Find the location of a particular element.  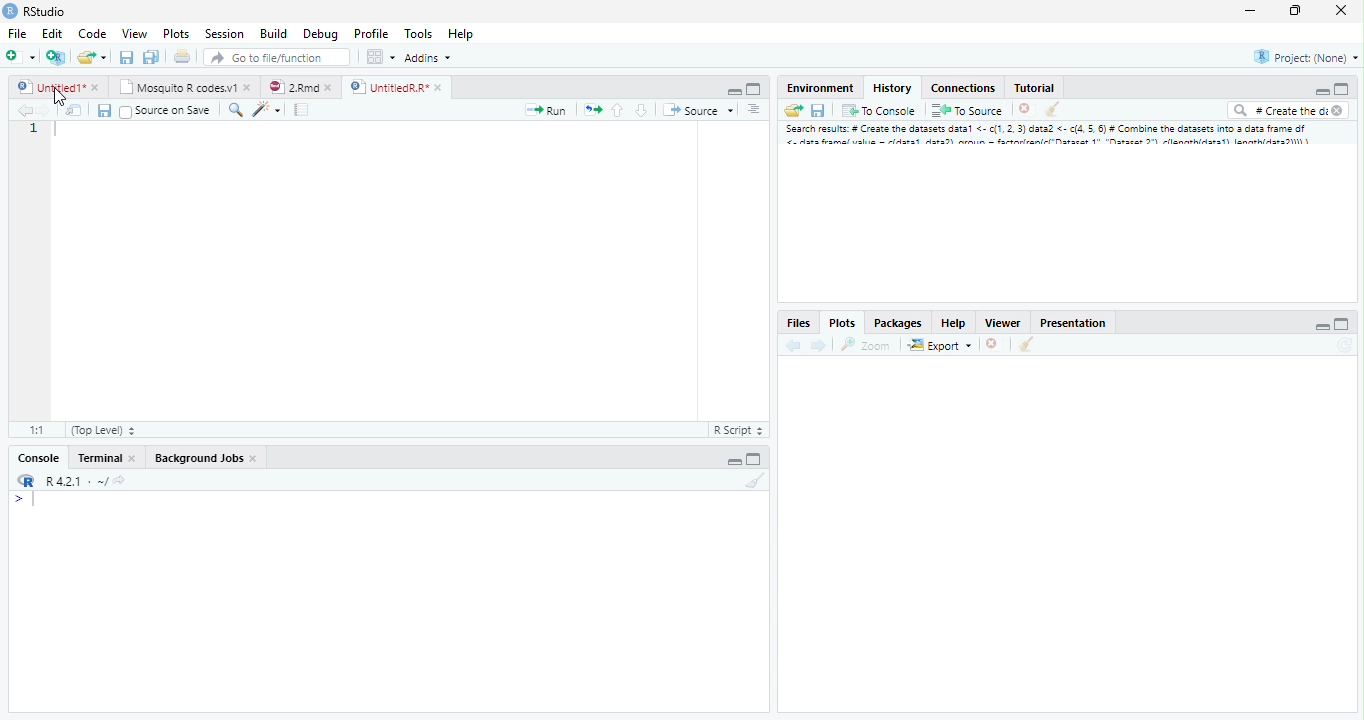

Go to file/function is located at coordinates (275, 58).